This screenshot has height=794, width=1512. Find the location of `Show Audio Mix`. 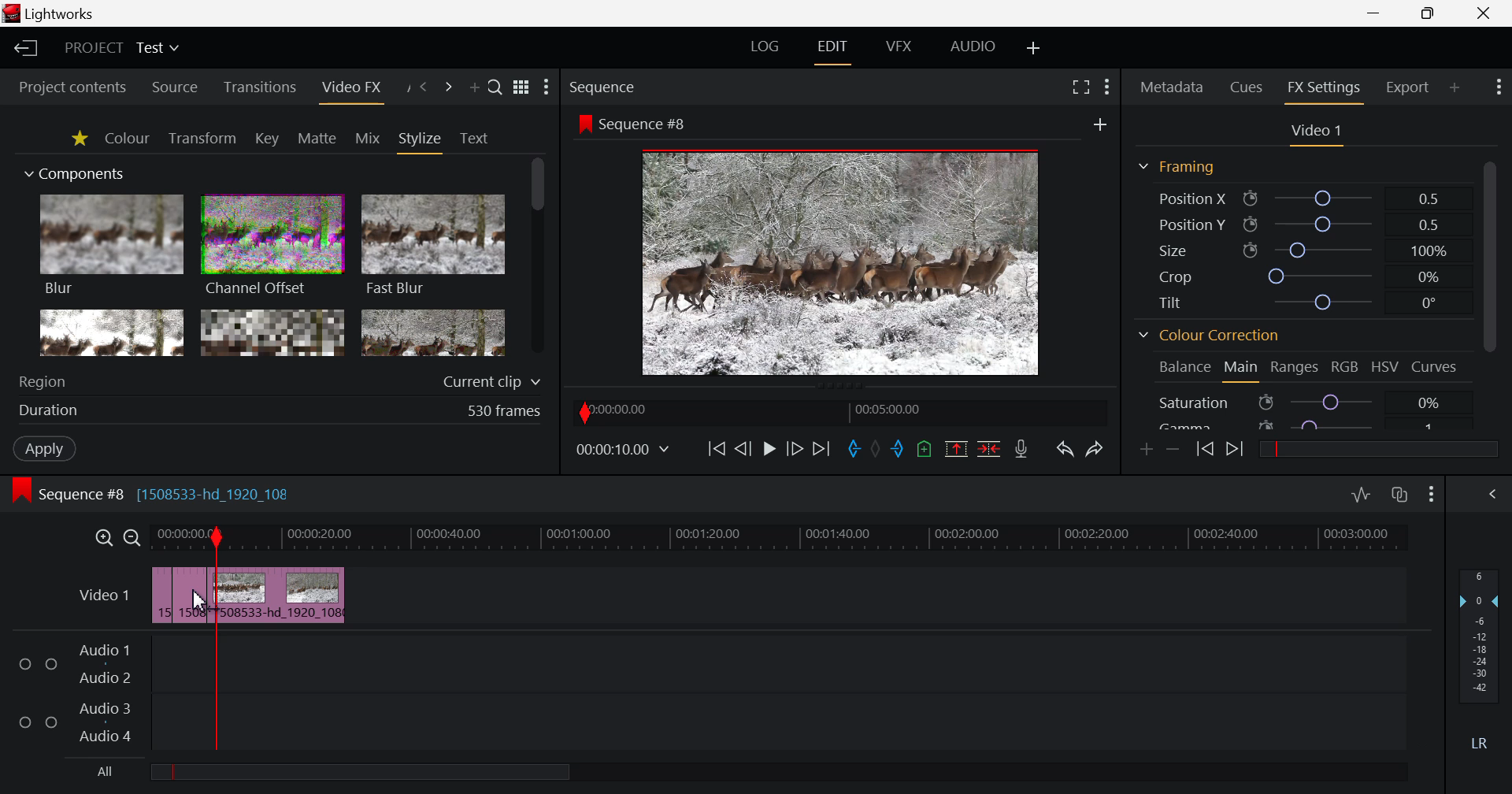

Show Audio Mix is located at coordinates (1494, 495).